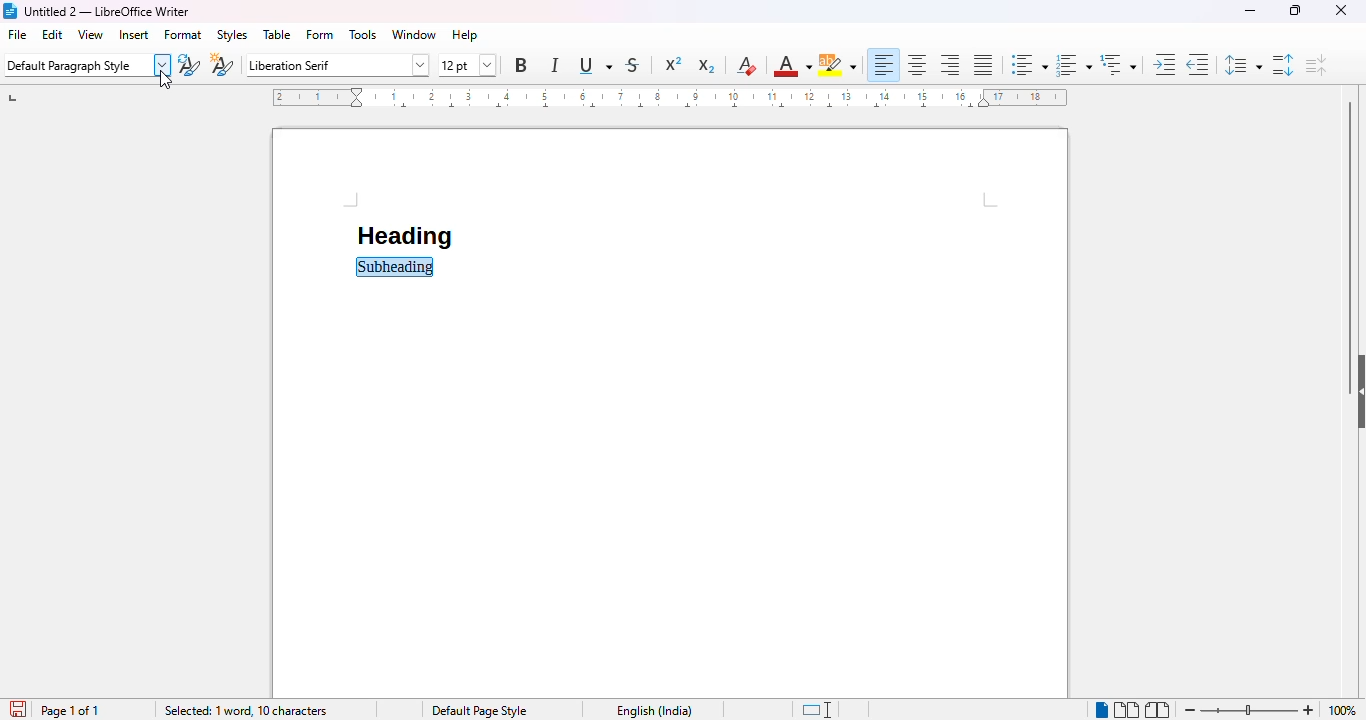 This screenshot has width=1366, height=720. Describe the element at coordinates (1248, 709) in the screenshot. I see `zoom in or zoom out` at that location.